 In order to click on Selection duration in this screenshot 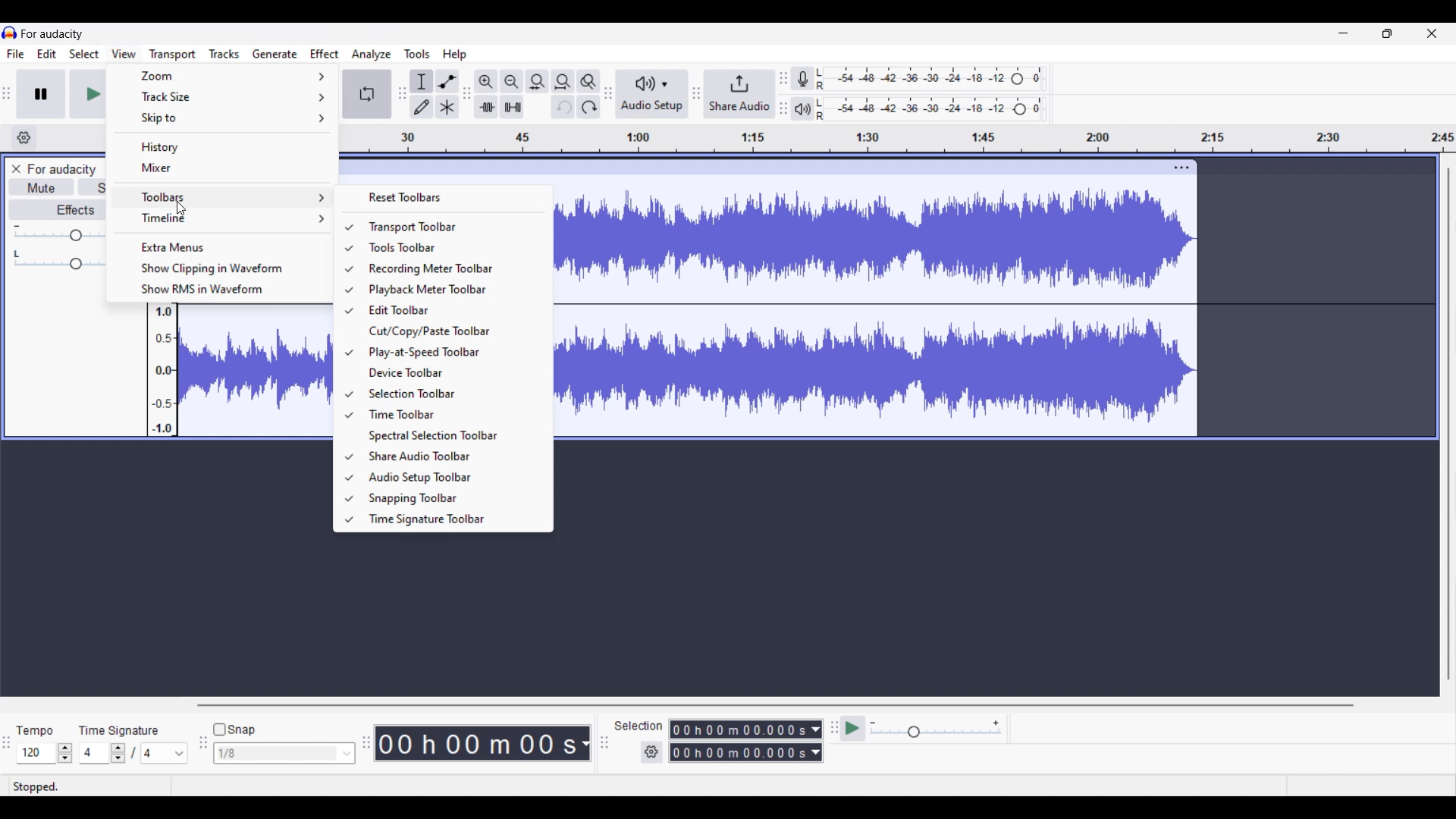, I will do `click(739, 740)`.